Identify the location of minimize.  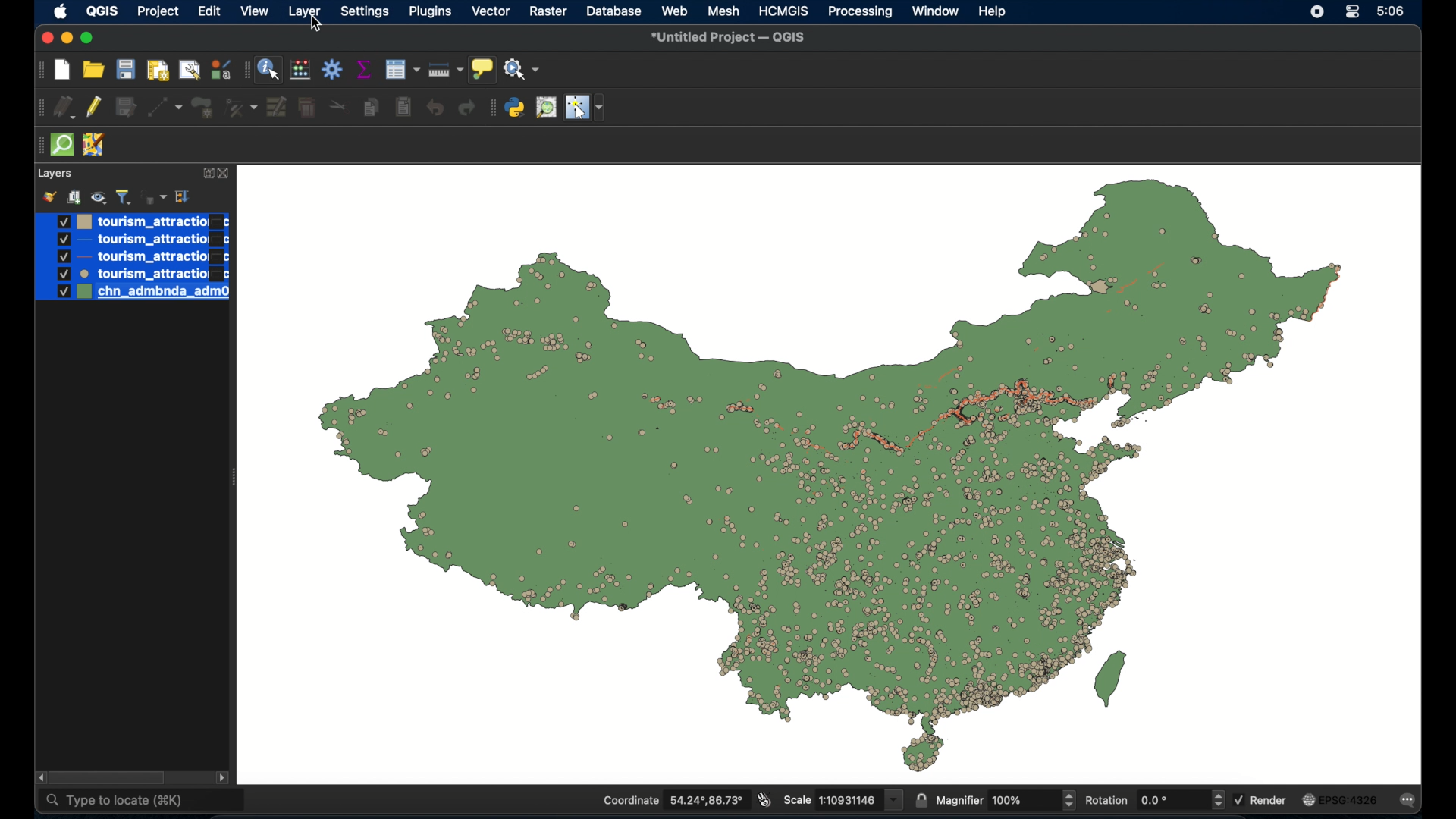
(67, 39).